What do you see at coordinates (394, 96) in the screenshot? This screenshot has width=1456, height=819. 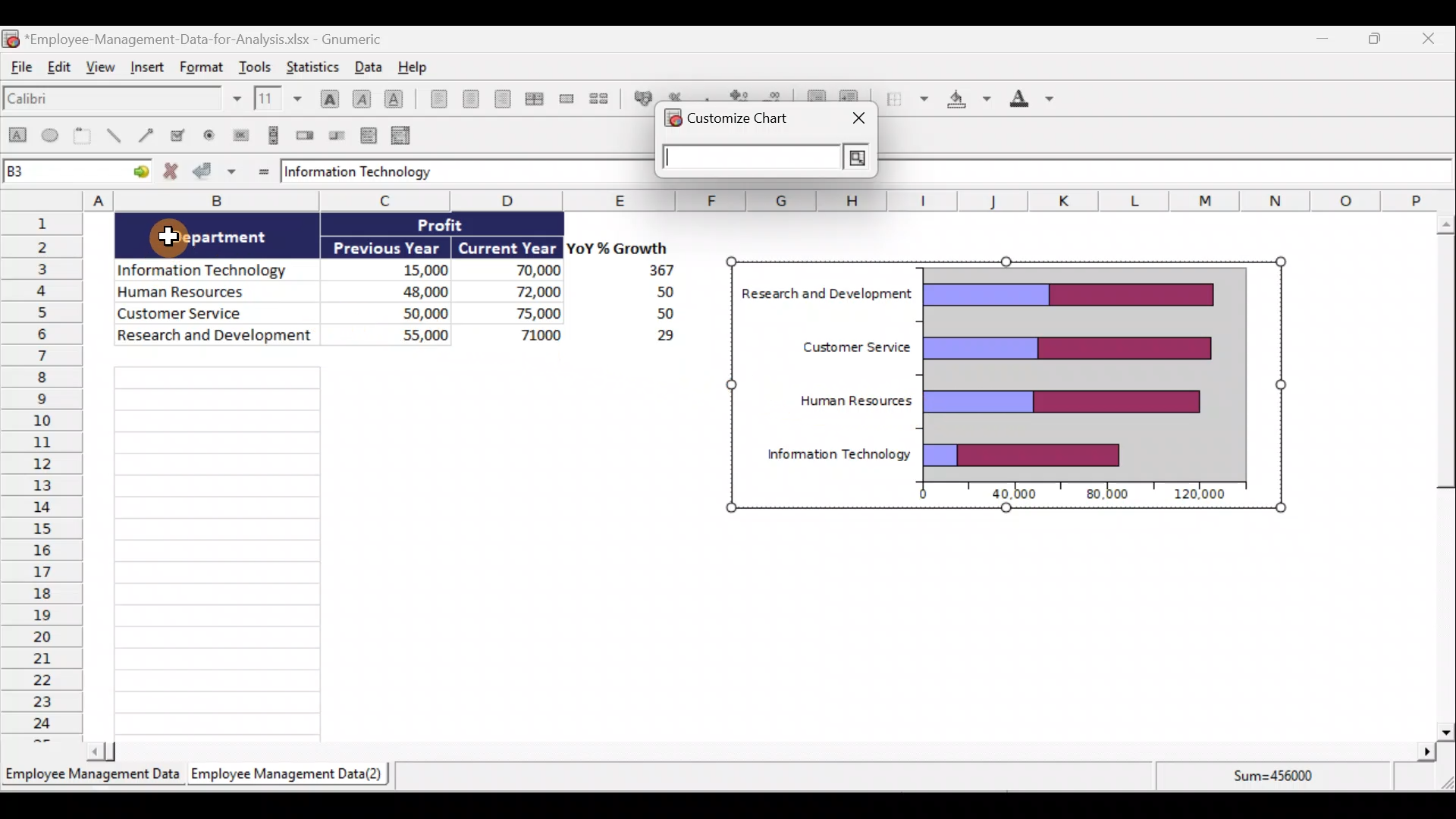 I see `Underline` at bounding box center [394, 96].